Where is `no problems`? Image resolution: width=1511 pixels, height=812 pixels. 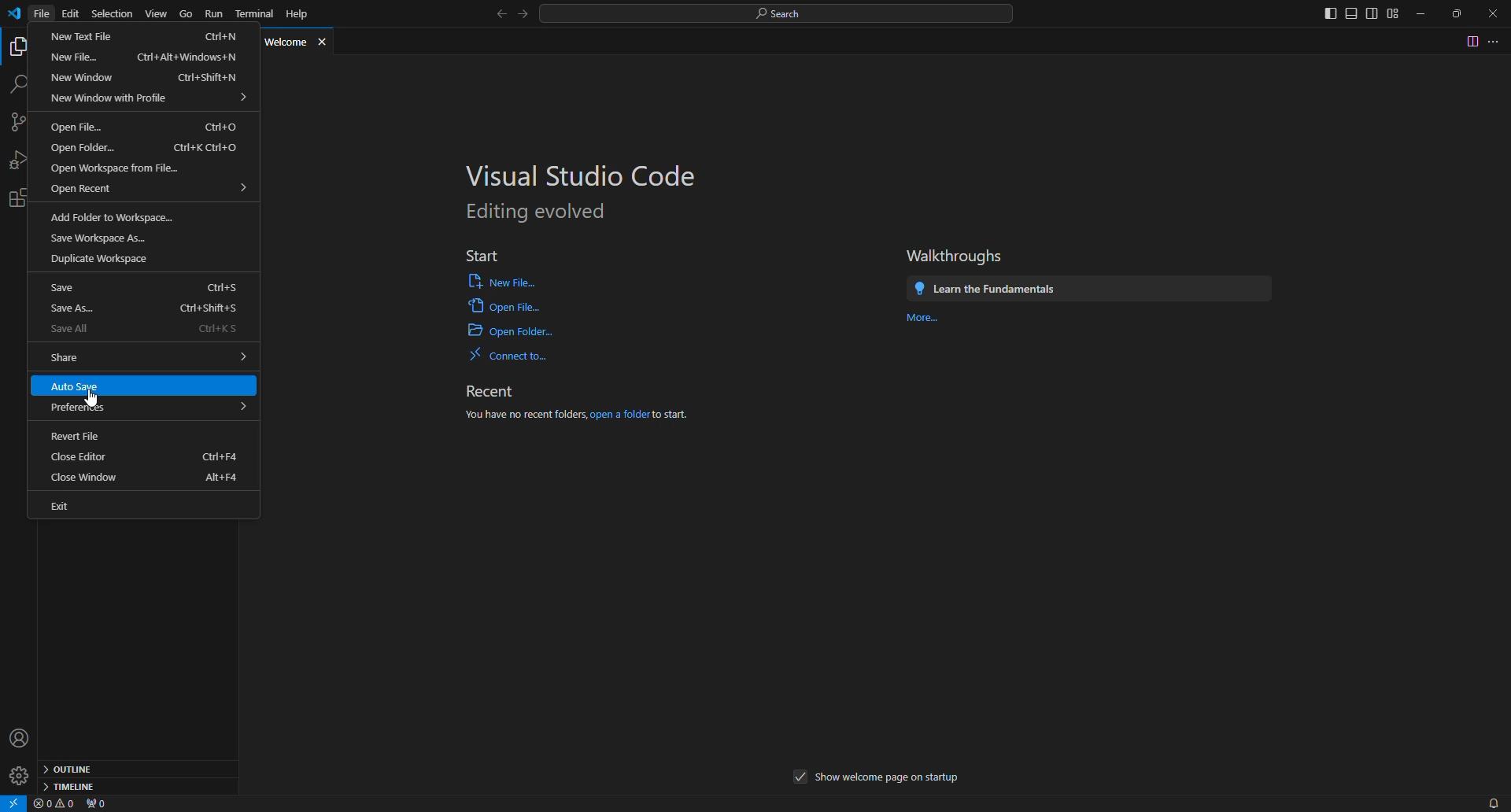
no problems is located at coordinates (55, 804).